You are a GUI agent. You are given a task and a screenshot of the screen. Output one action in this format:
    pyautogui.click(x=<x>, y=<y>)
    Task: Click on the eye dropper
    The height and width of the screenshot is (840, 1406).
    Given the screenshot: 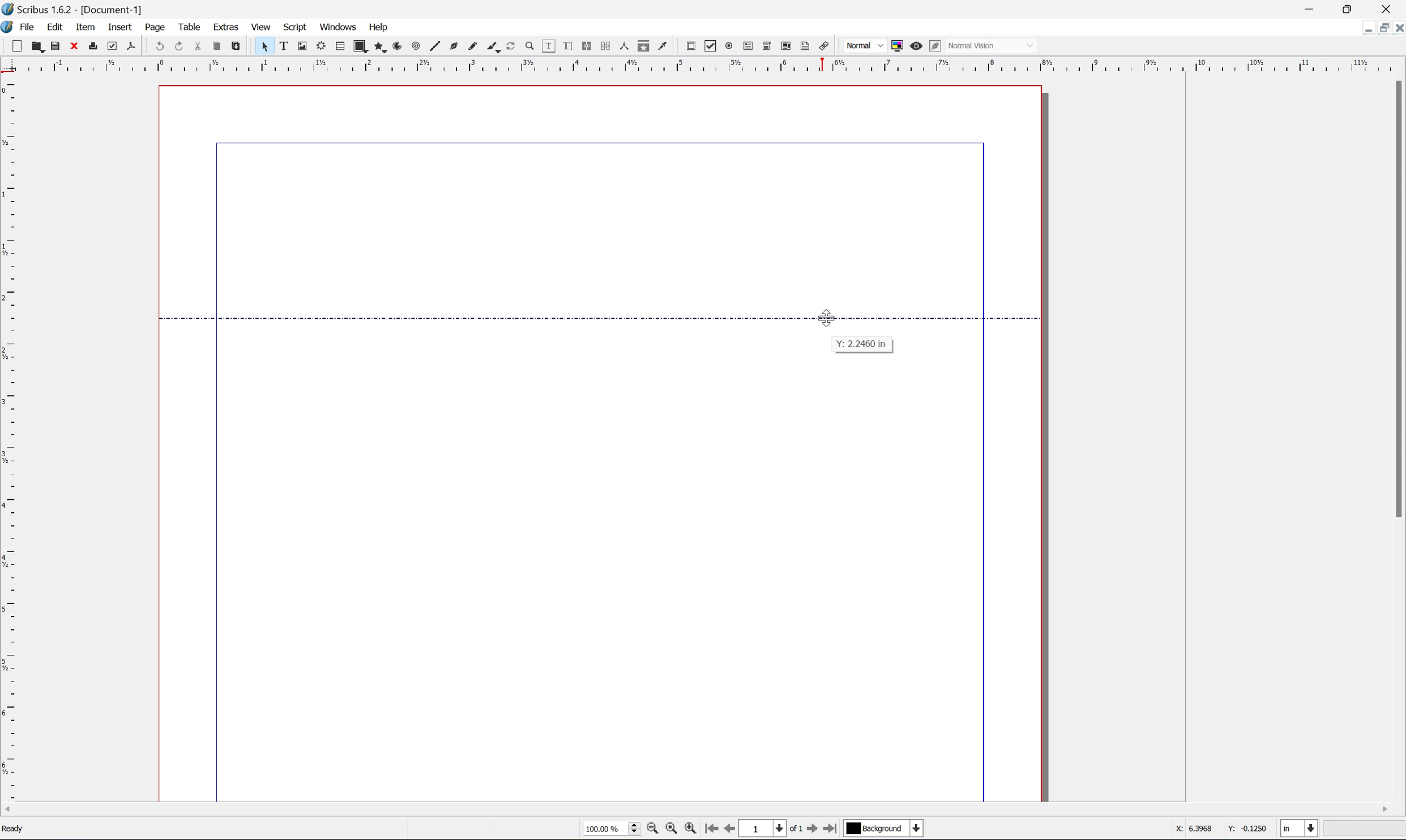 What is the action you would take?
    pyautogui.click(x=665, y=46)
    